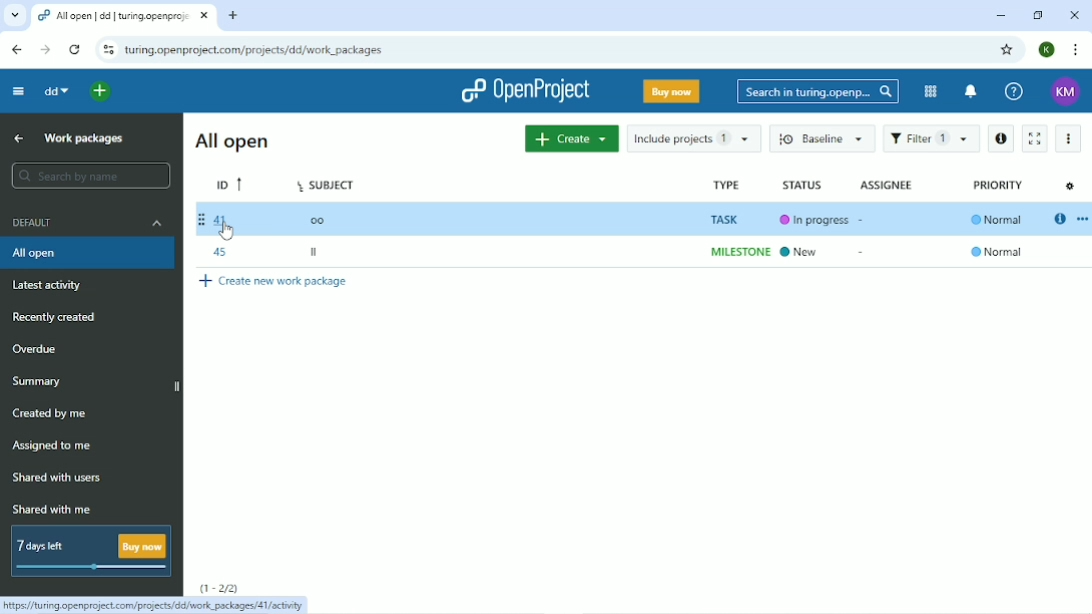 The height and width of the screenshot is (614, 1092). Describe the element at coordinates (55, 317) in the screenshot. I see `Recently created` at that location.